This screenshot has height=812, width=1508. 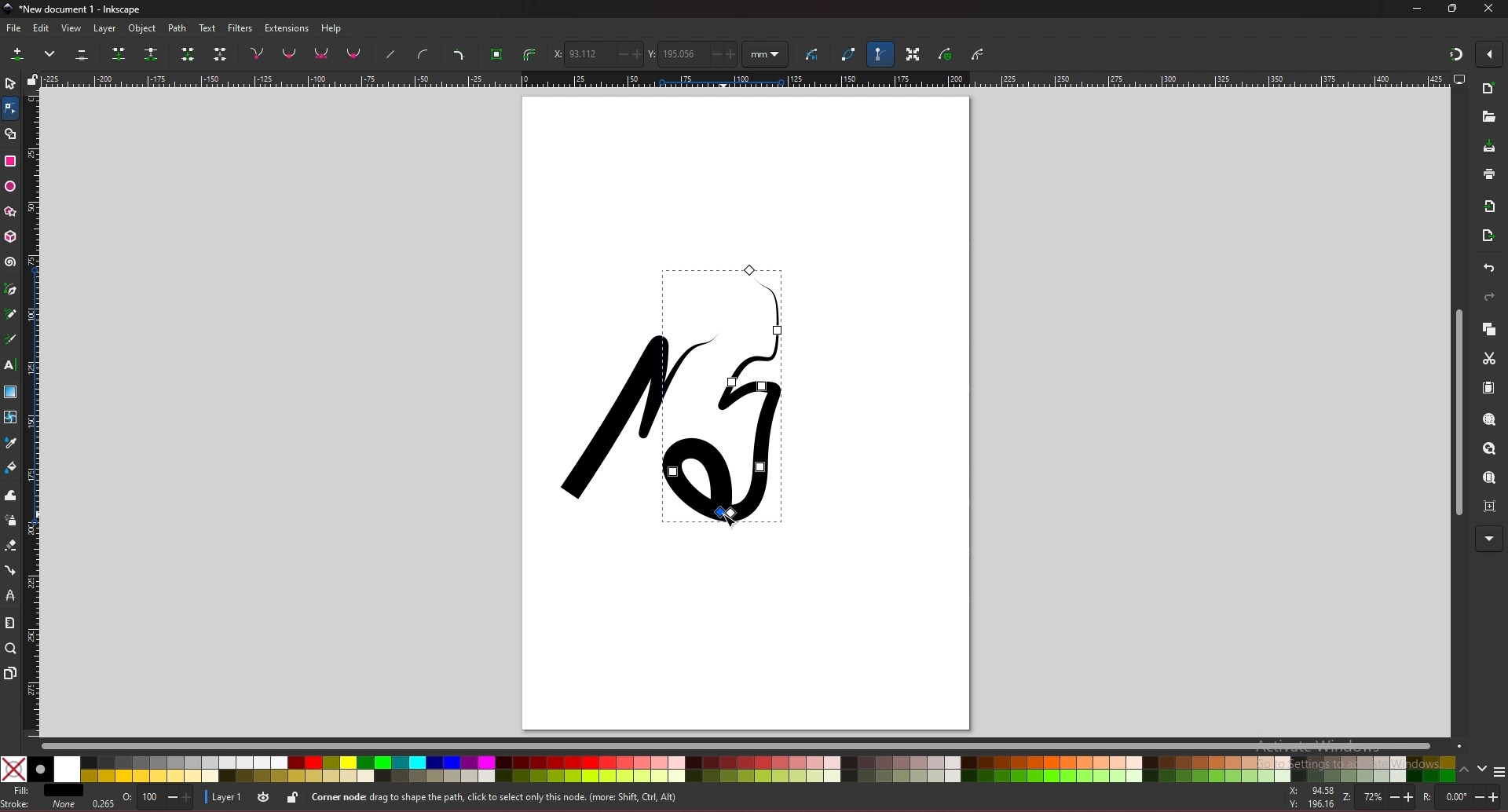 What do you see at coordinates (20, 53) in the screenshot?
I see `add node` at bounding box center [20, 53].